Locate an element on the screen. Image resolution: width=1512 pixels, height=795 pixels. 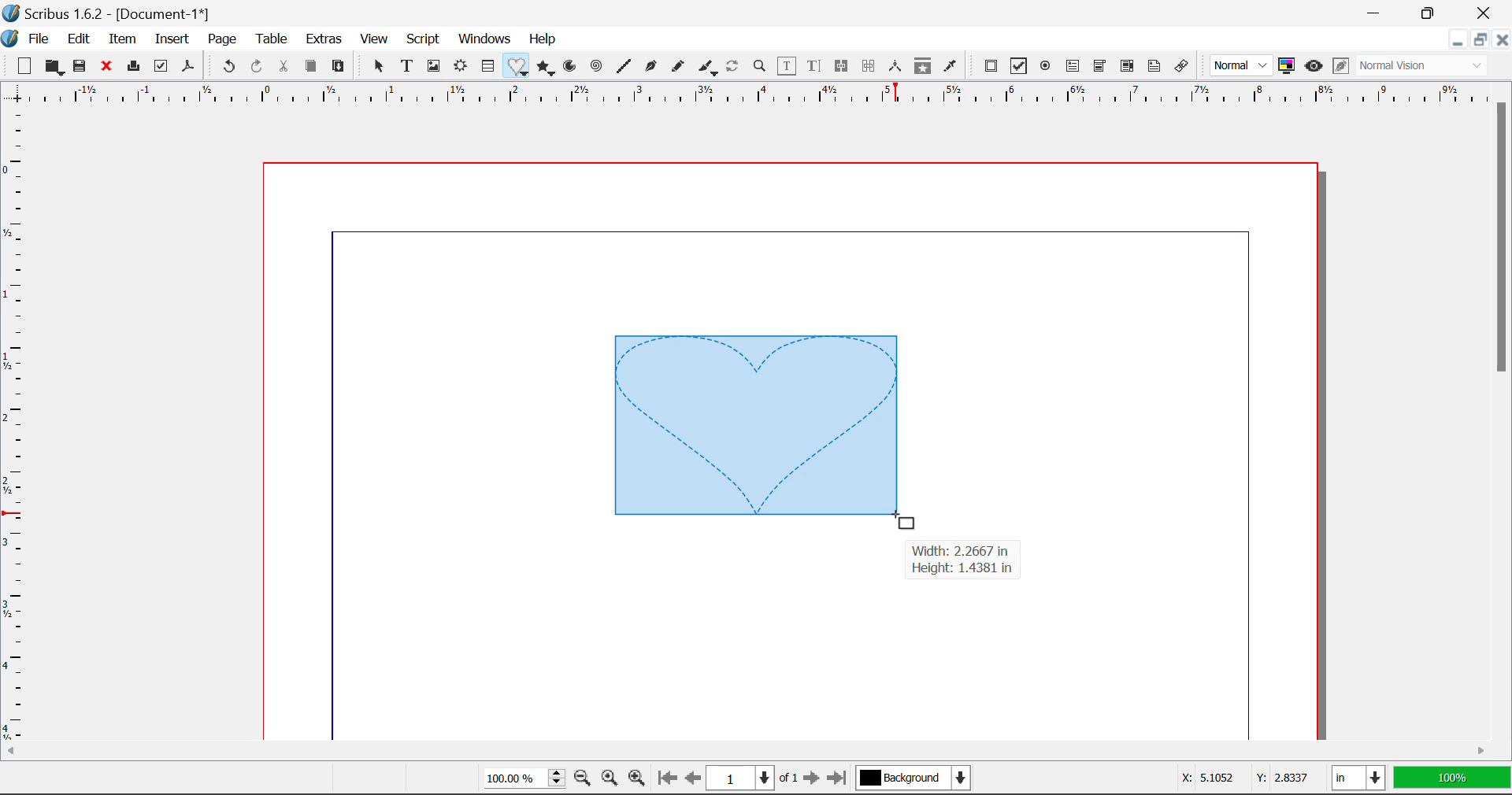
Save is located at coordinates (84, 68).